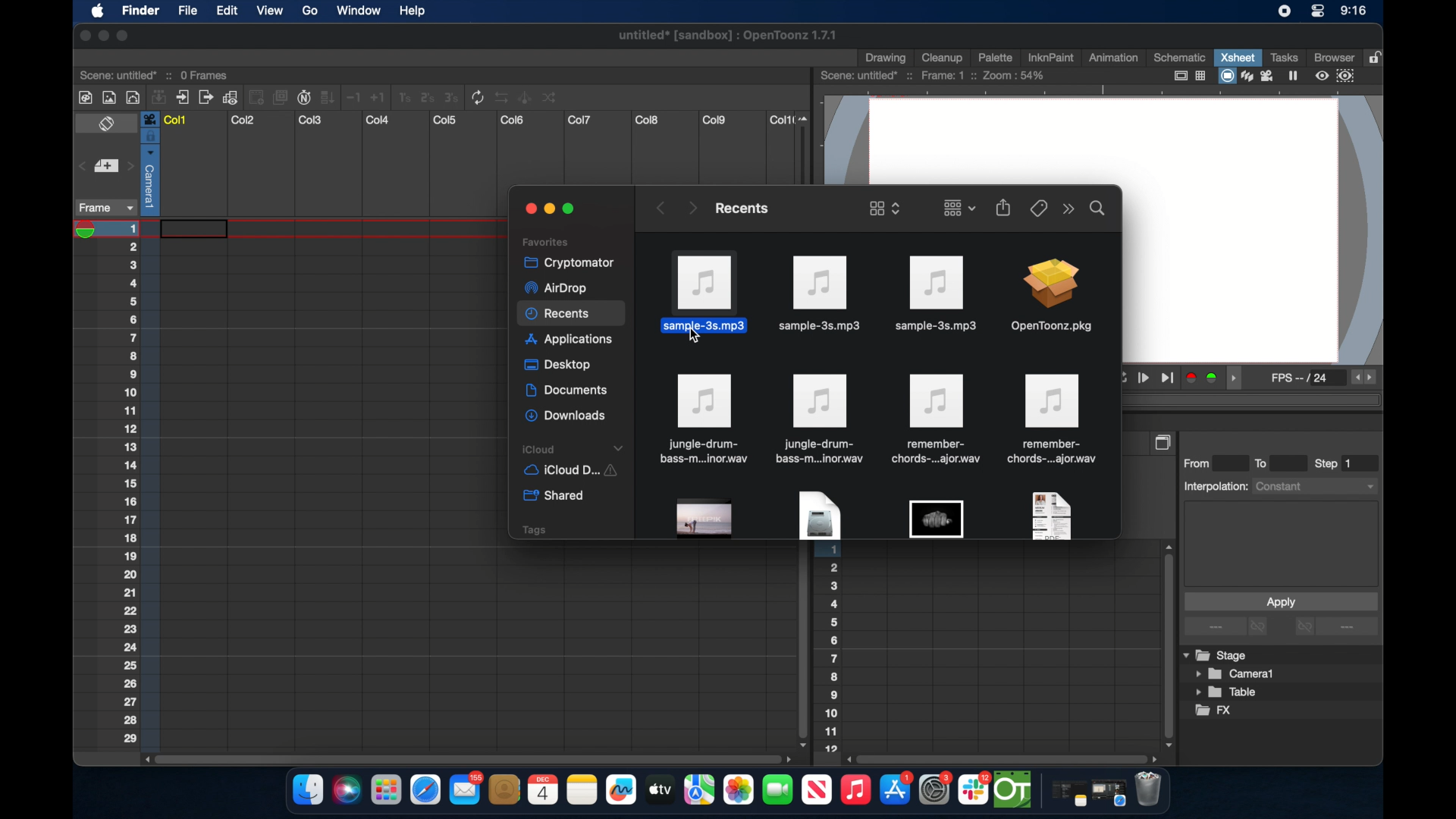 The height and width of the screenshot is (819, 1456). What do you see at coordinates (533, 529) in the screenshot?
I see `tags` at bounding box center [533, 529].